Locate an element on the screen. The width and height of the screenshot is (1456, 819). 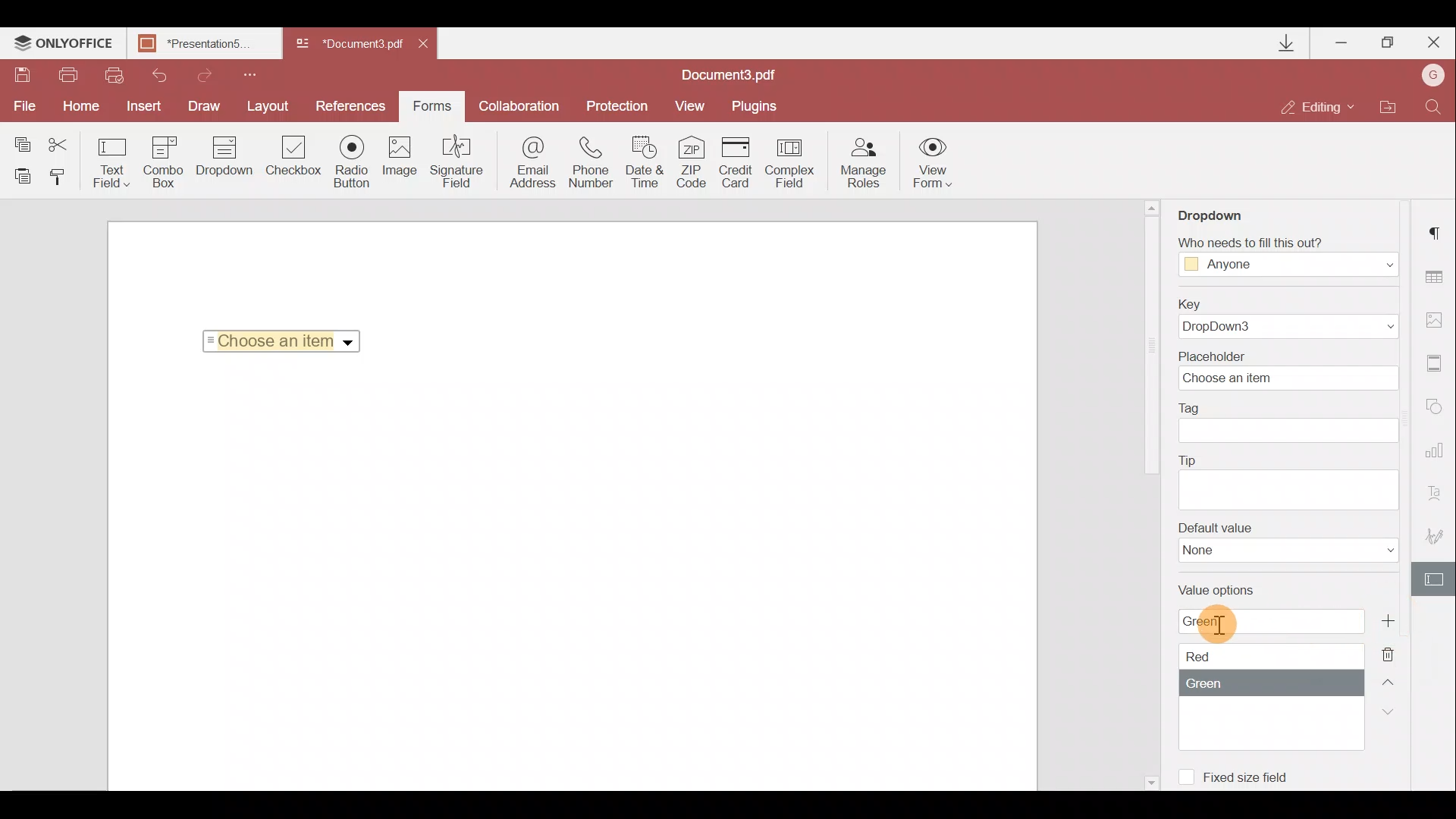
Account name is located at coordinates (1433, 74).